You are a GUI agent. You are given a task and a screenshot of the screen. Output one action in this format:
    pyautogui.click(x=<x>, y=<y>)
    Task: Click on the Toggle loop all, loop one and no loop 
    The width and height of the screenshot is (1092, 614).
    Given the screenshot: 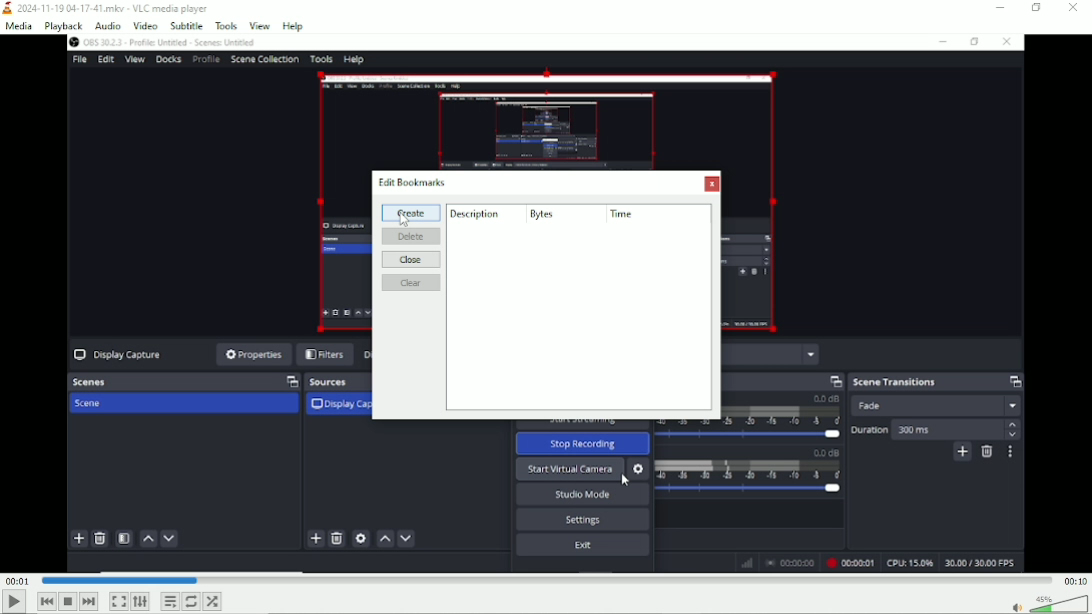 What is the action you would take?
    pyautogui.click(x=192, y=601)
    